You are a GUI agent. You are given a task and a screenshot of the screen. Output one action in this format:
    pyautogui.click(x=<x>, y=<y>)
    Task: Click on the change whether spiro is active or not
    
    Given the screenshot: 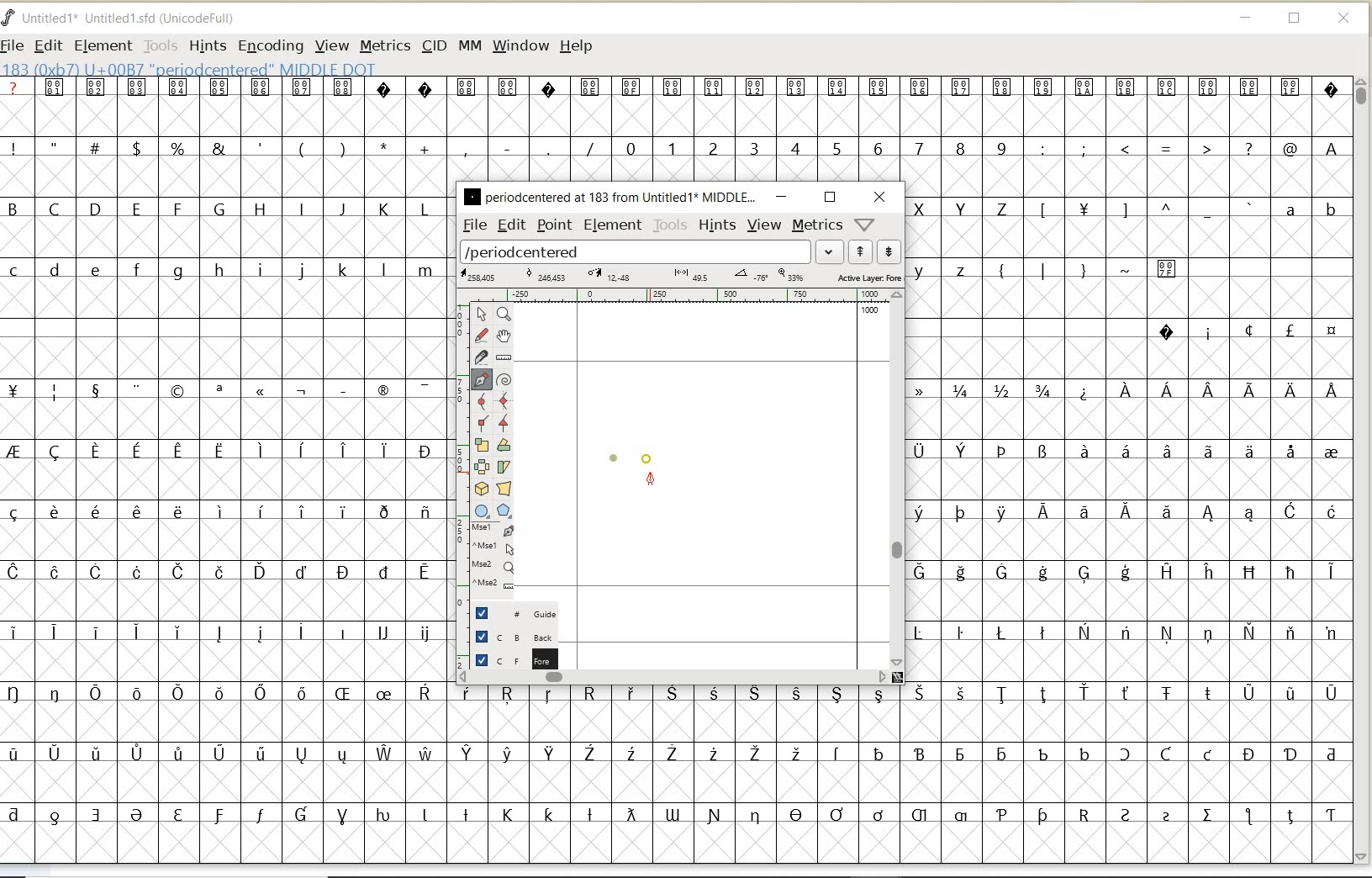 What is the action you would take?
    pyautogui.click(x=504, y=378)
    